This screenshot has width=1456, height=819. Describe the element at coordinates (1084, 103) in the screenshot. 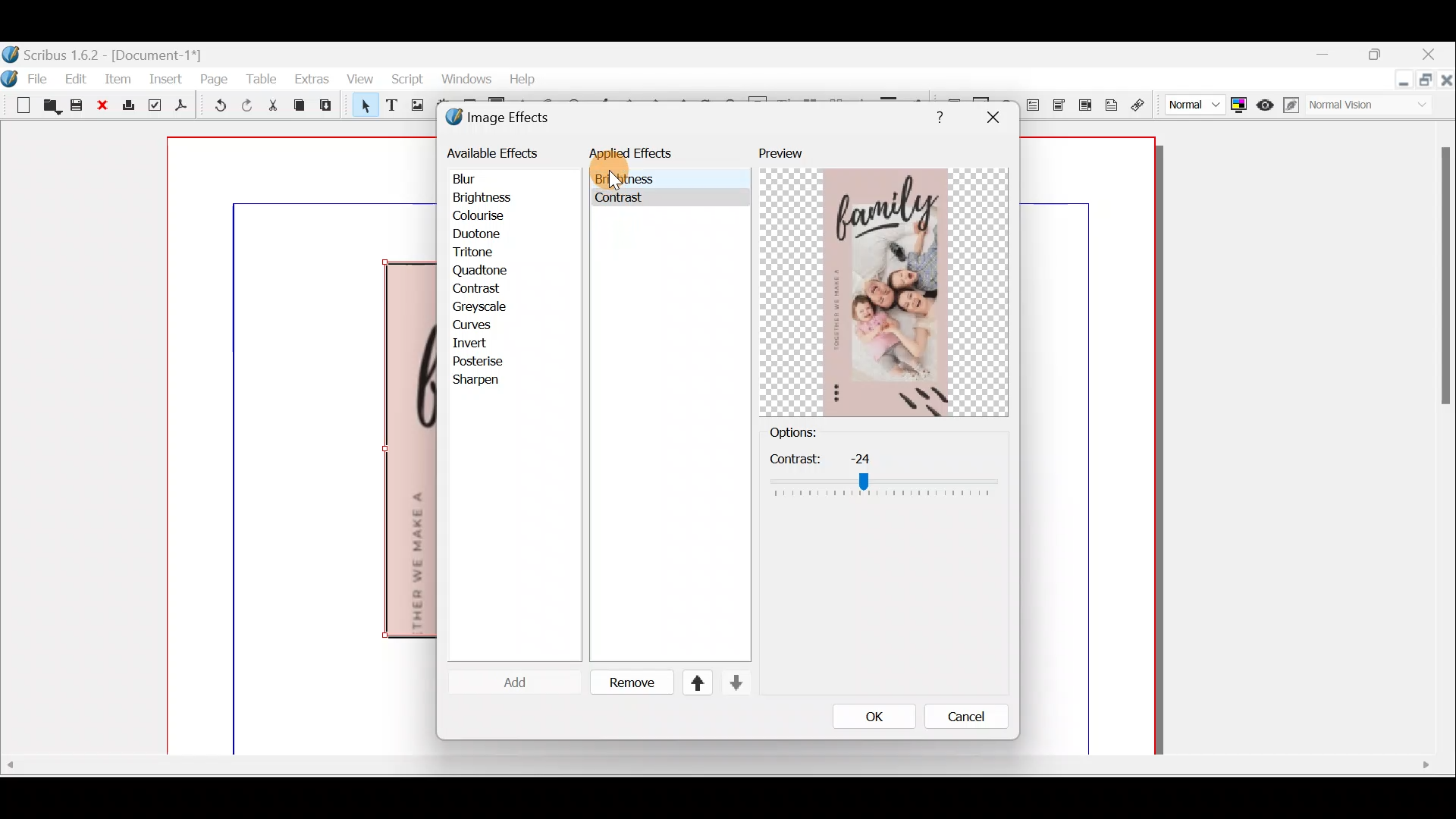

I see `PDF List box` at that location.